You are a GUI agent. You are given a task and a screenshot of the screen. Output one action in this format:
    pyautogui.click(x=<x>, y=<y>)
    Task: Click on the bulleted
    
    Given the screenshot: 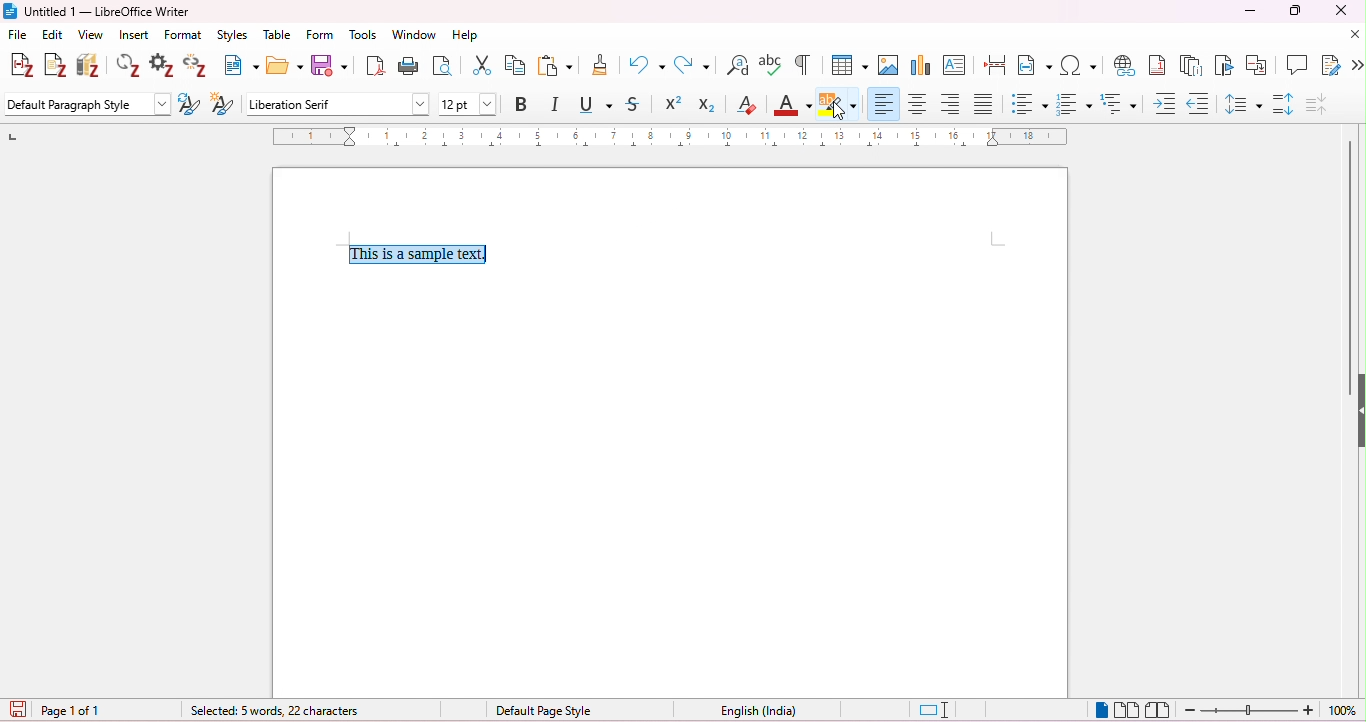 What is the action you would take?
    pyautogui.click(x=1028, y=104)
    